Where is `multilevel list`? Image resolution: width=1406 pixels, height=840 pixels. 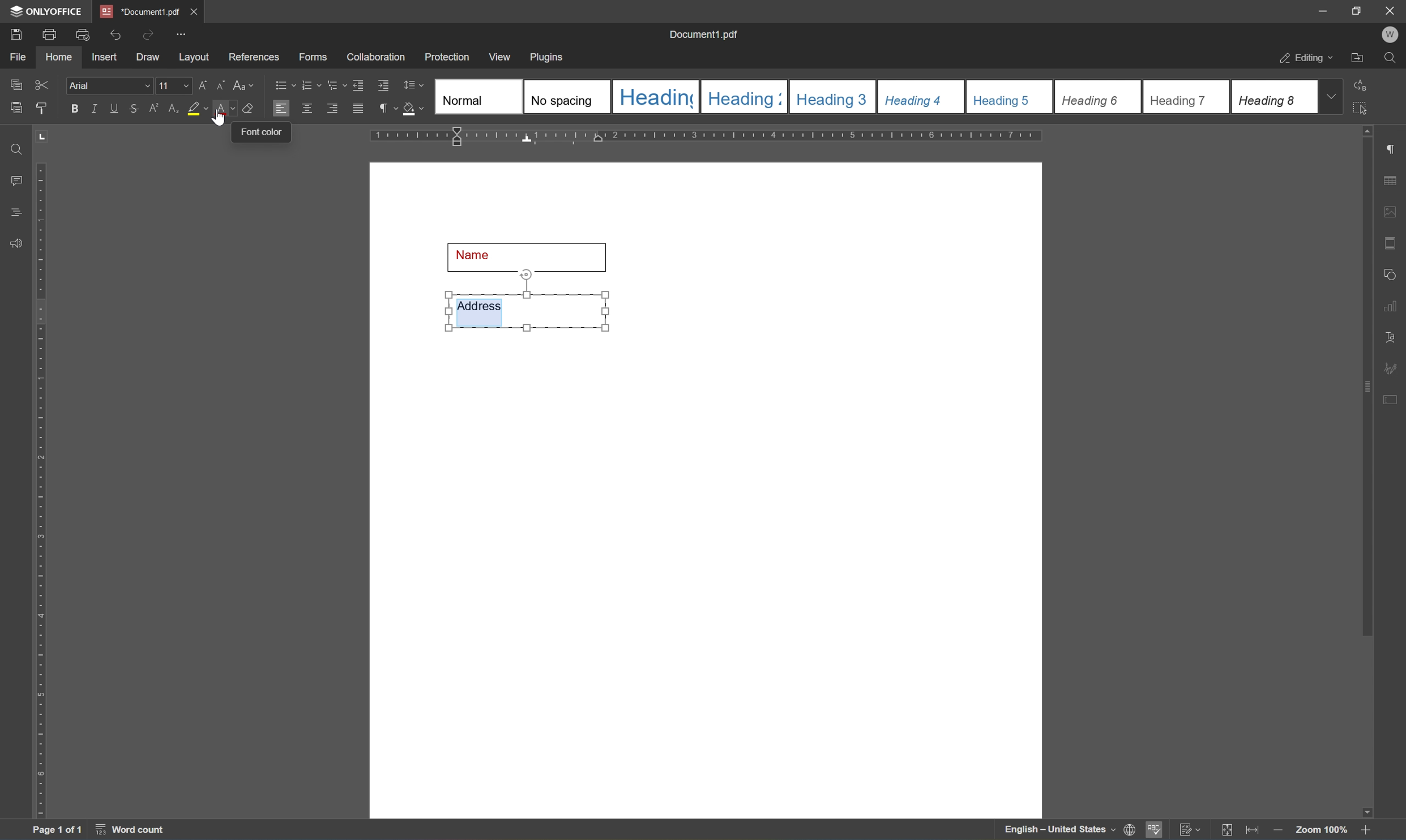
multilevel list is located at coordinates (335, 85).